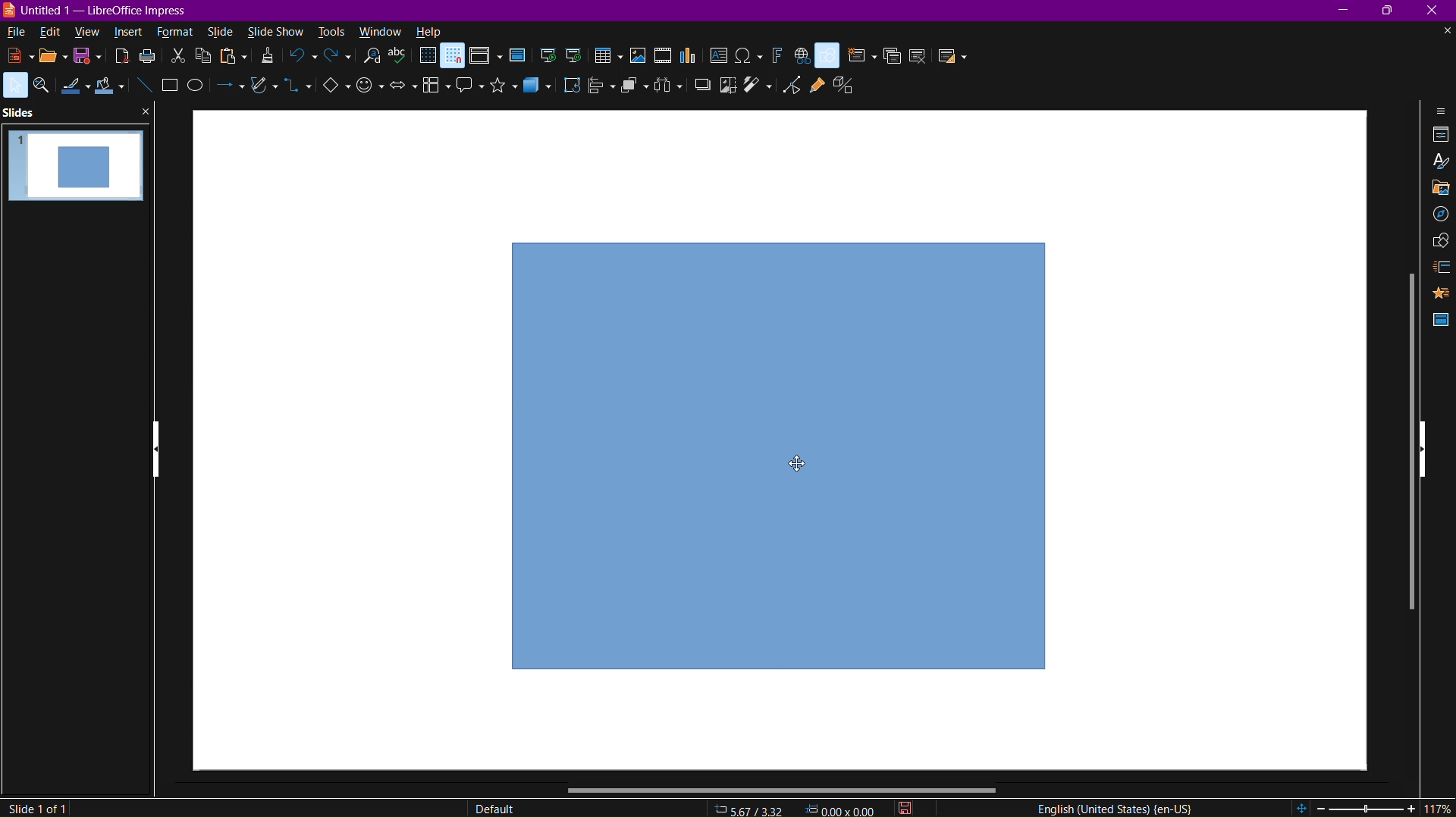 The width and height of the screenshot is (1456, 817). I want to click on Spellcheck, so click(401, 59).